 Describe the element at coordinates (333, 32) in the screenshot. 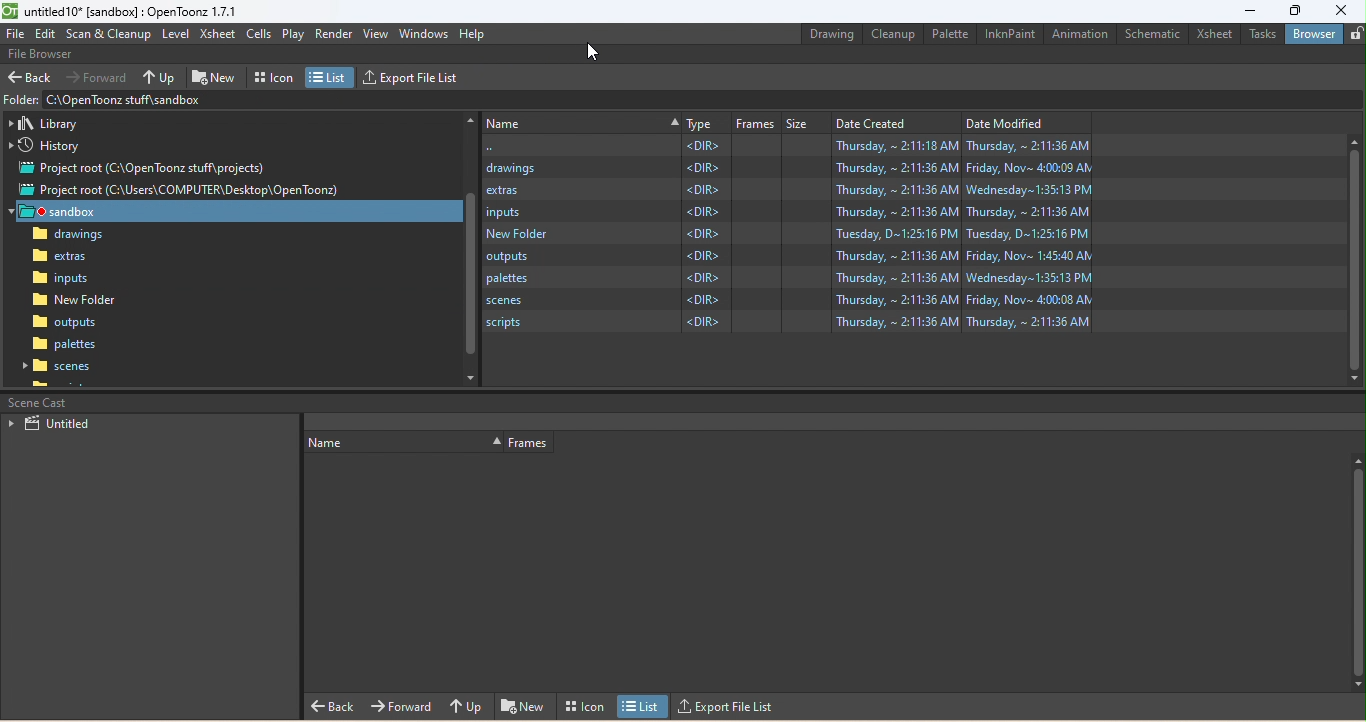

I see `Render` at that location.